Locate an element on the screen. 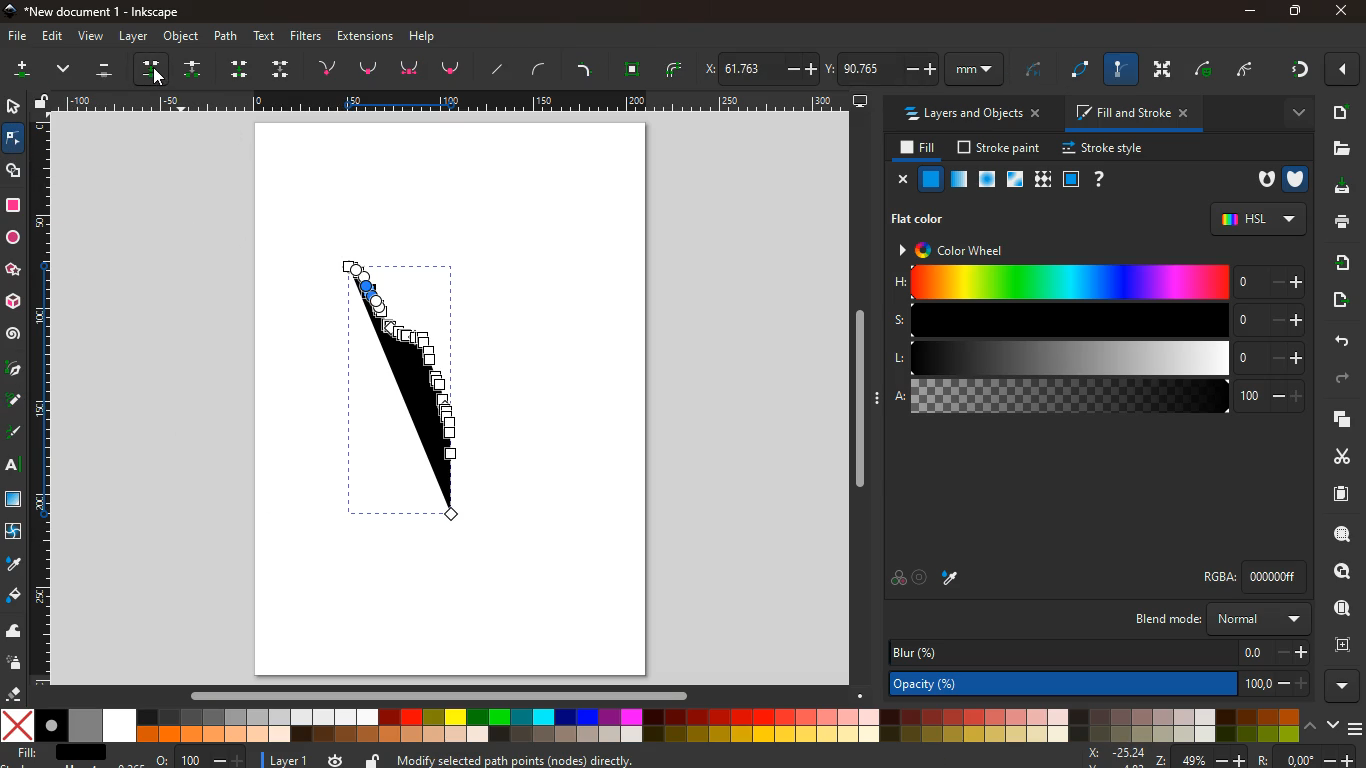  hsl is located at coordinates (1257, 218).